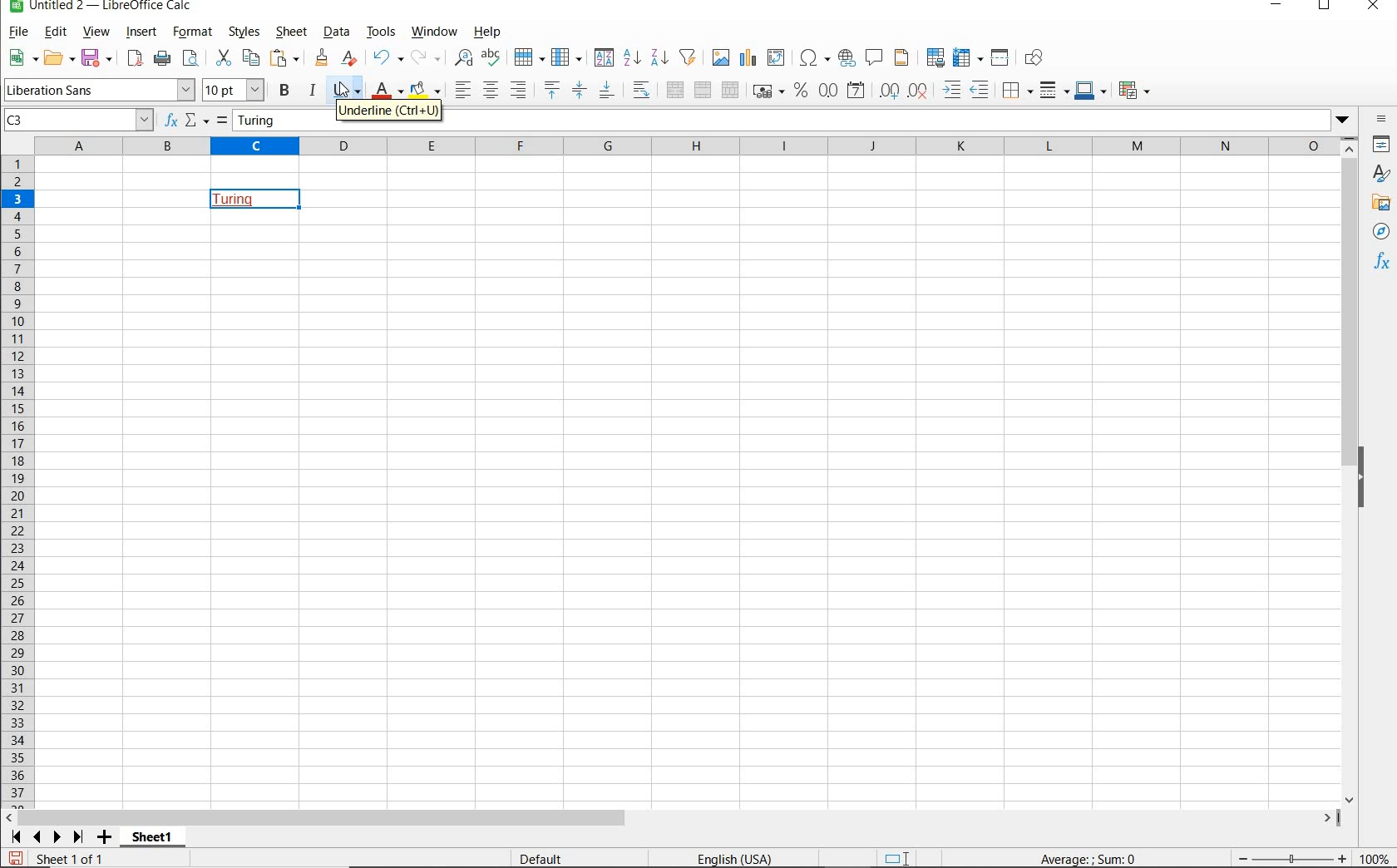  Describe the element at coordinates (953, 91) in the screenshot. I see `INCREASE INDENT` at that location.